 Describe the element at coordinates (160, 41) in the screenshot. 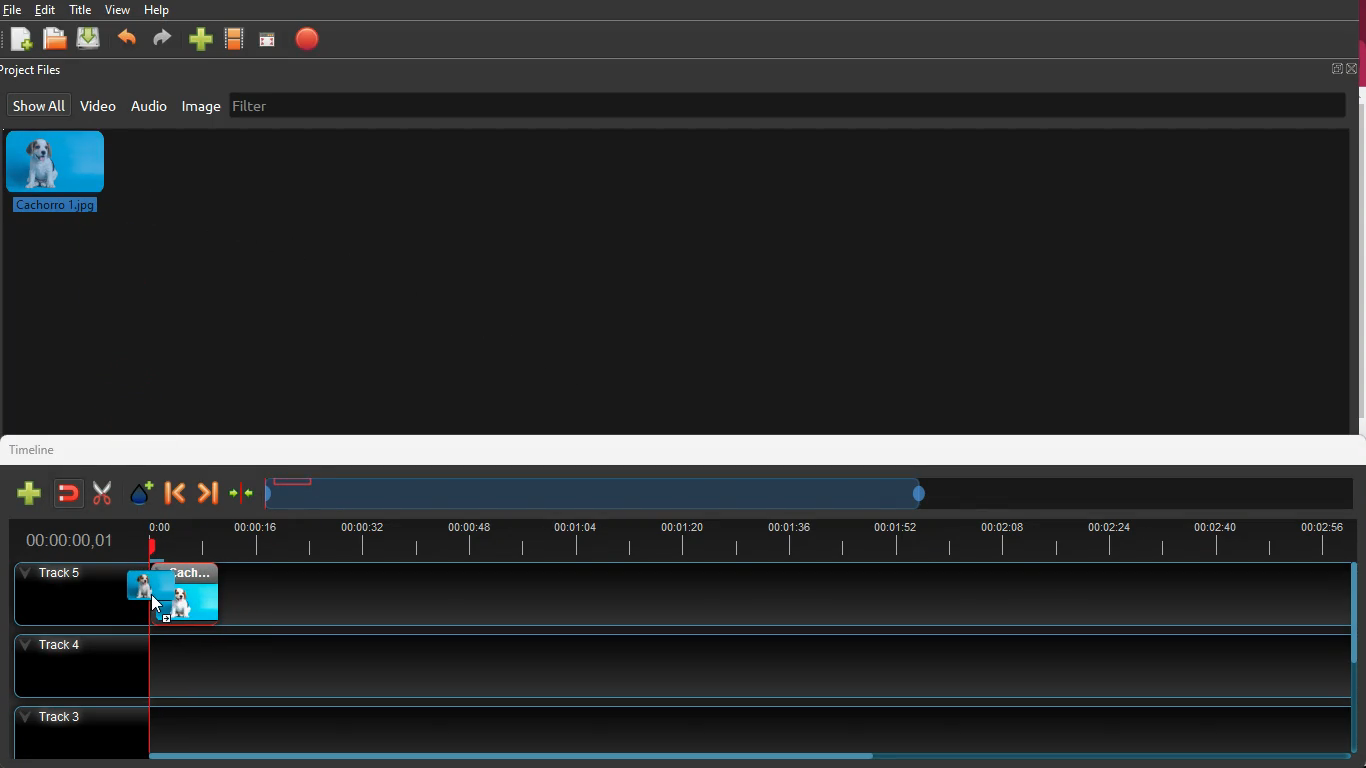

I see `forward` at that location.